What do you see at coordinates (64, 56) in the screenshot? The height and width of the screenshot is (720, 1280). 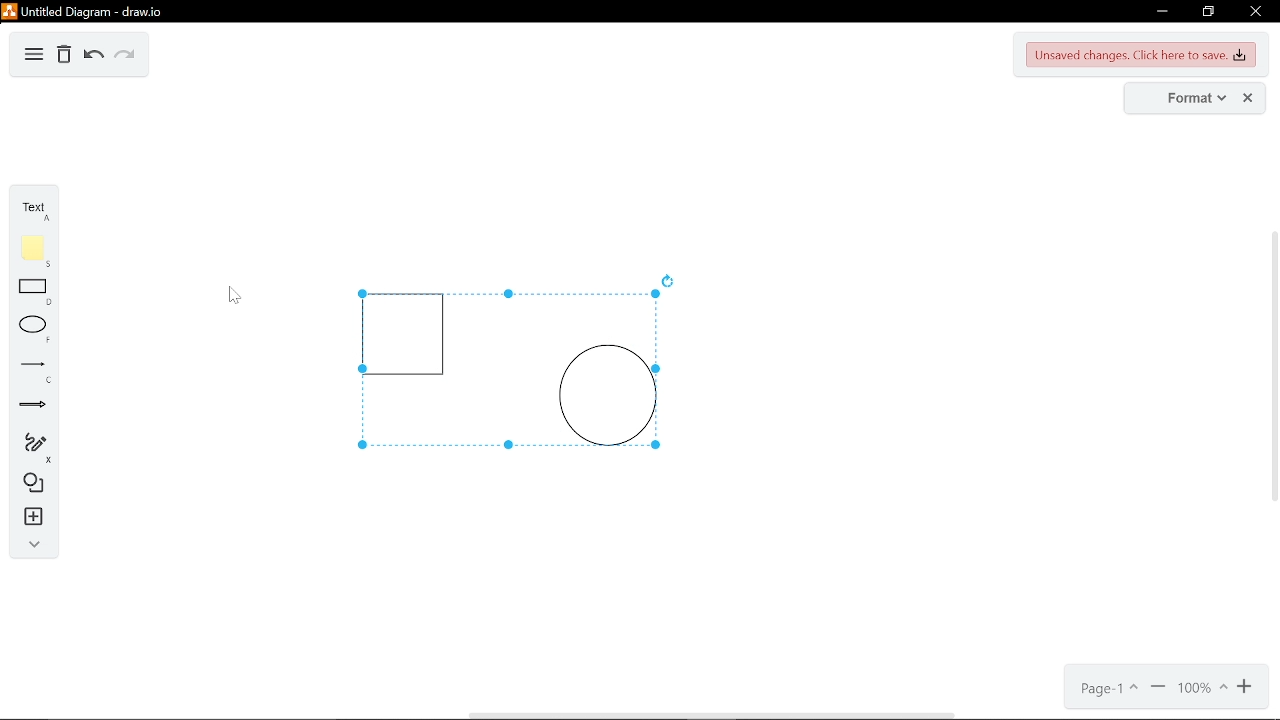 I see `Delete` at bounding box center [64, 56].